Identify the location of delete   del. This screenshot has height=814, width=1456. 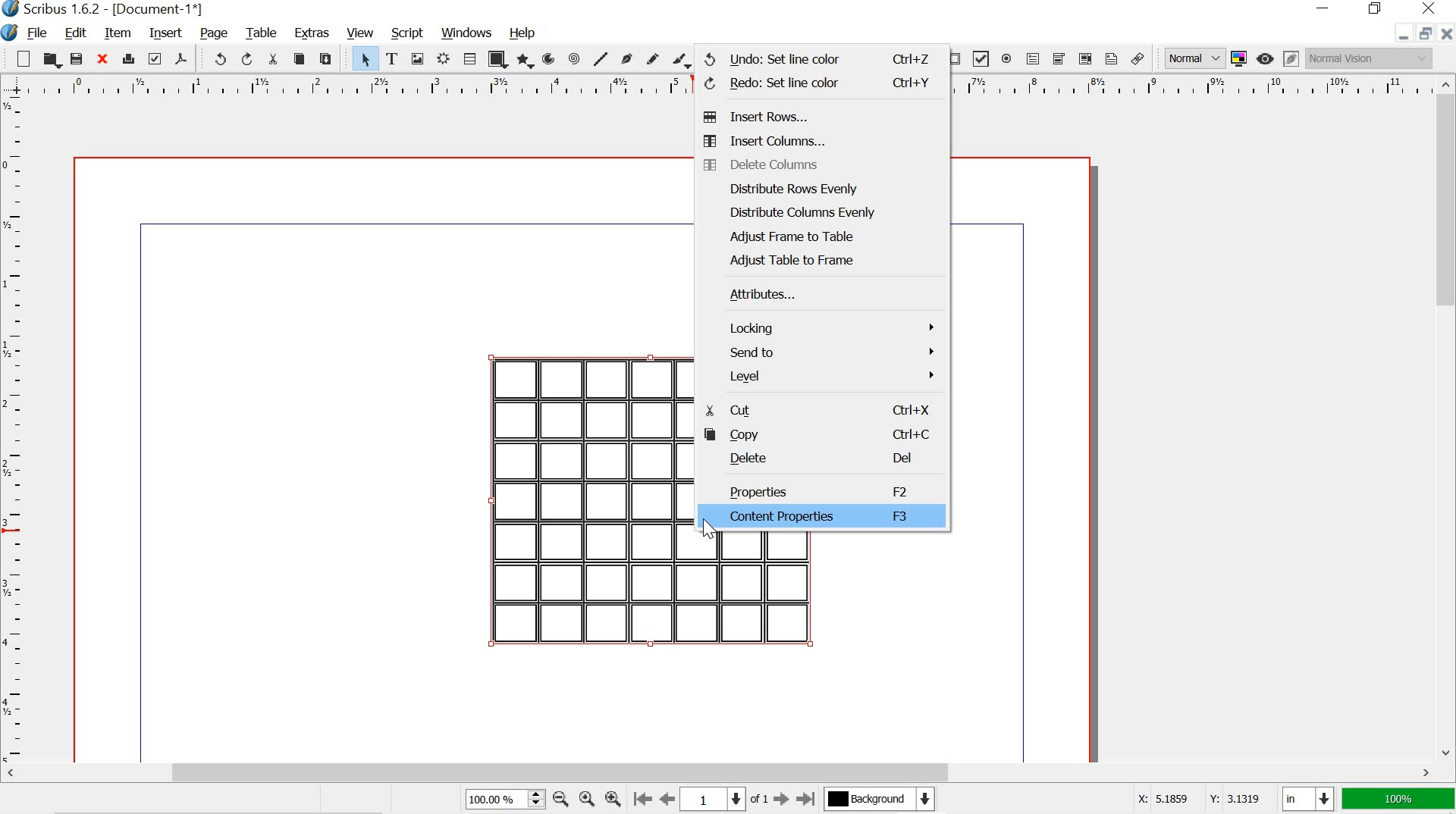
(824, 459).